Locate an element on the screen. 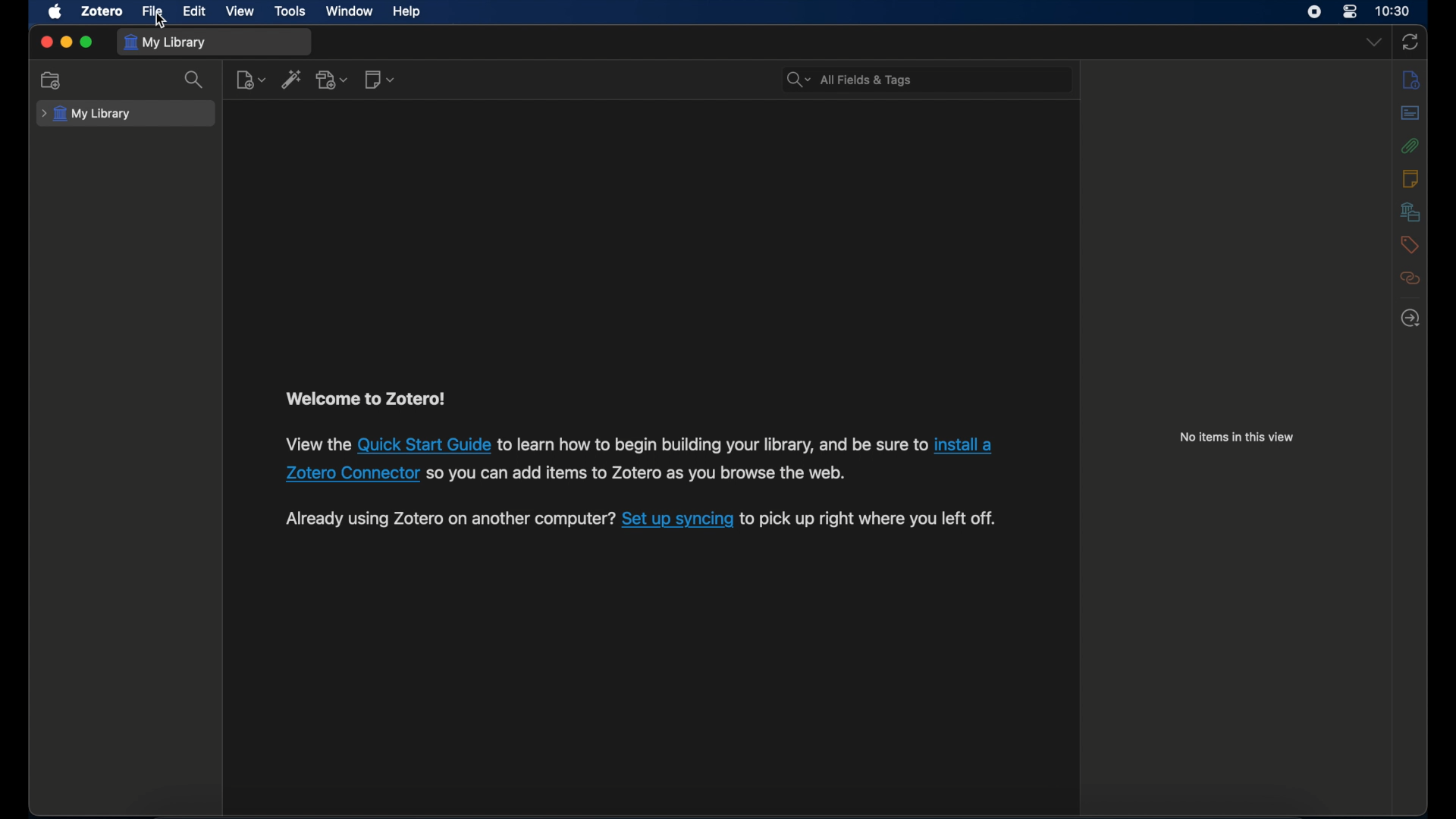  time is located at coordinates (1392, 11).